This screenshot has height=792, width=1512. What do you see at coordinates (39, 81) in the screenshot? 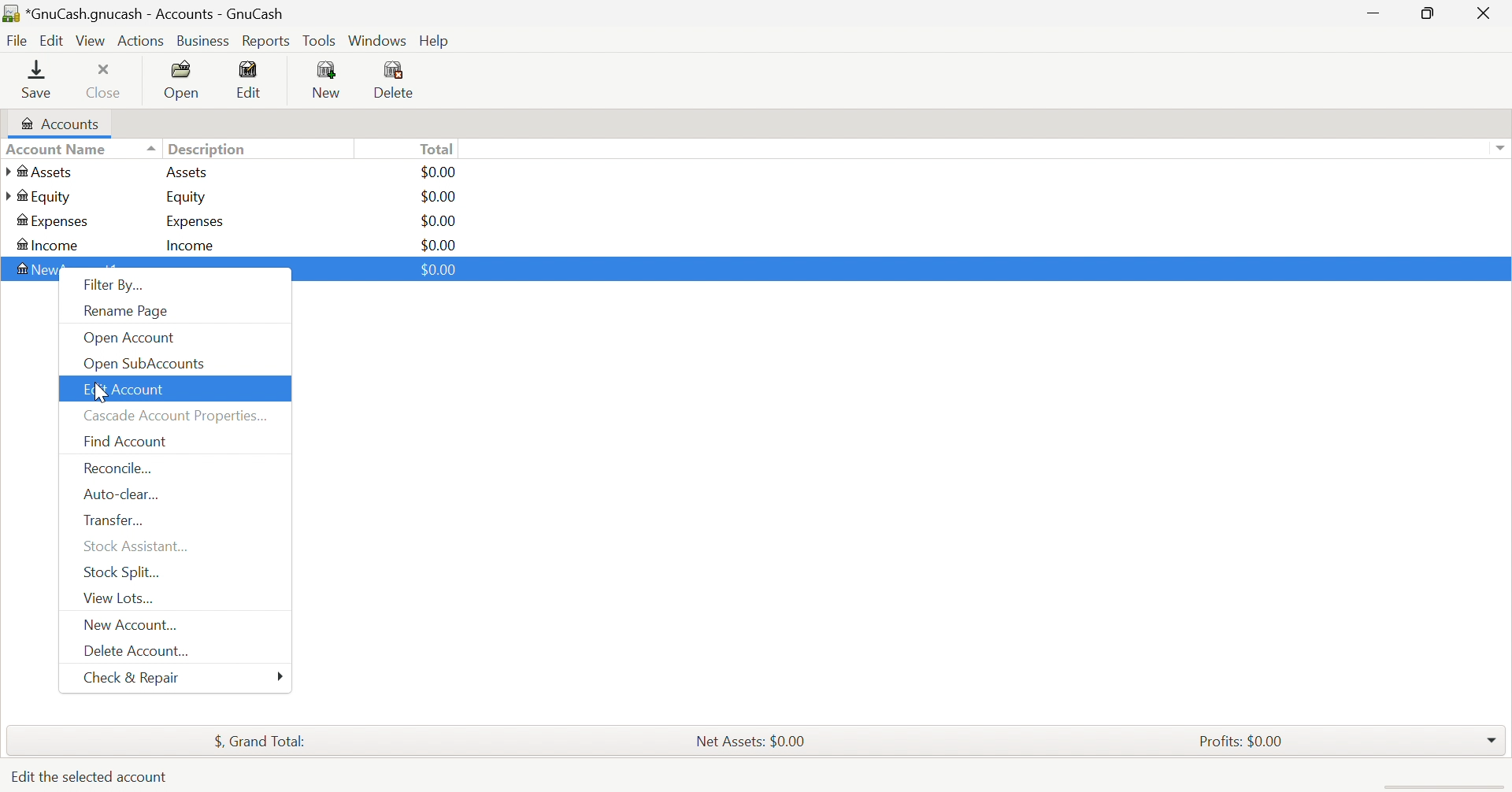
I see `Save` at bounding box center [39, 81].